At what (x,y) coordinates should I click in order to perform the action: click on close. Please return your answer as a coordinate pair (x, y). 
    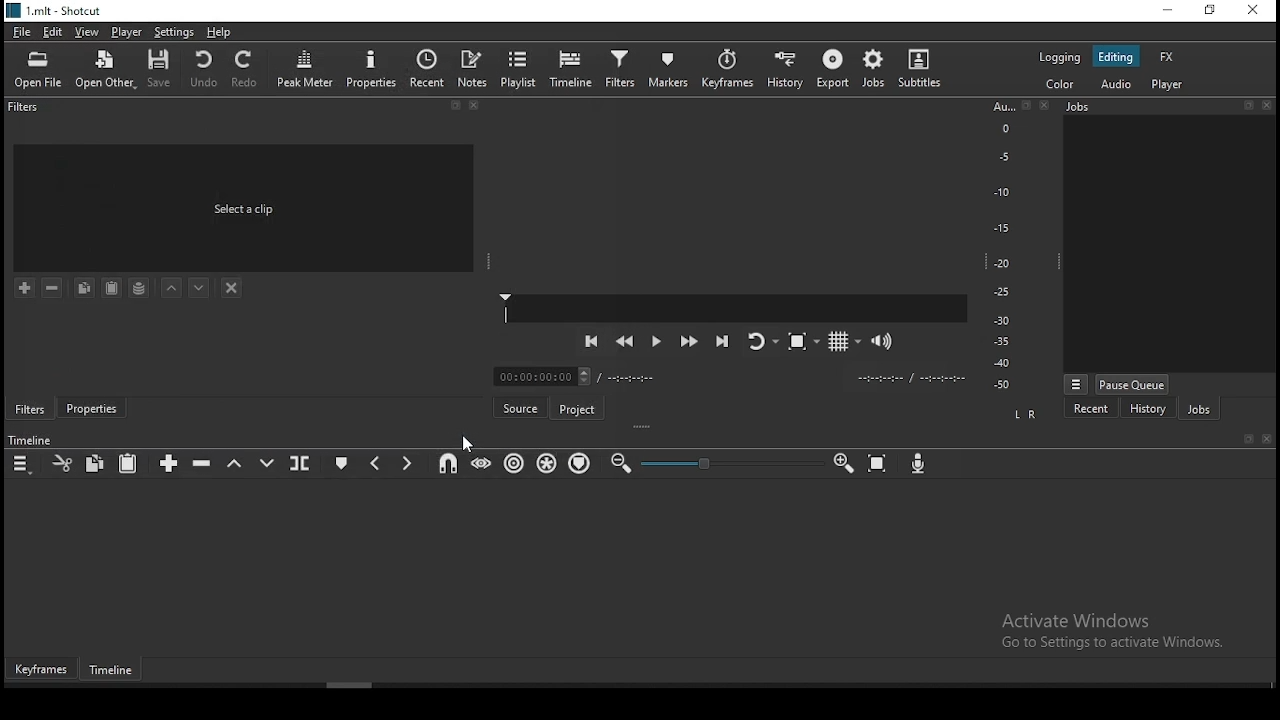
    Looking at the image, I should click on (1049, 106).